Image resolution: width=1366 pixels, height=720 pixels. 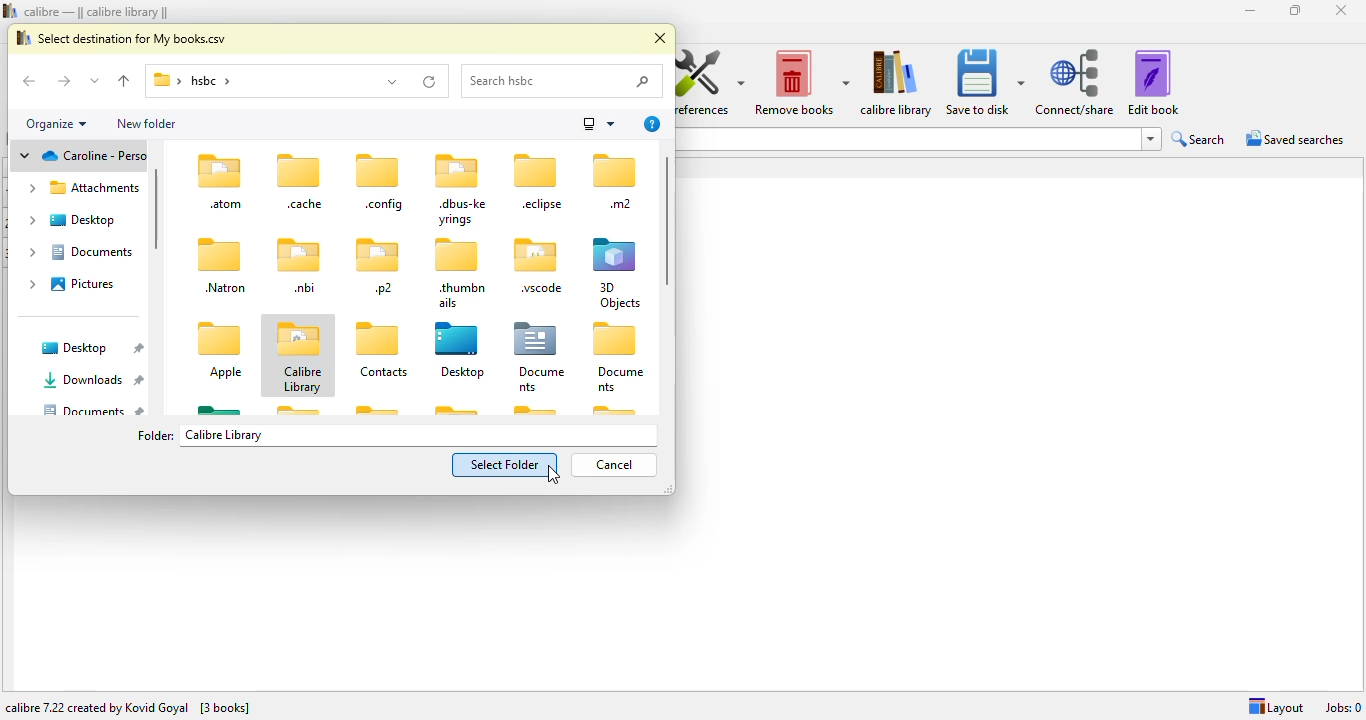 I want to click on folders, so click(x=456, y=231).